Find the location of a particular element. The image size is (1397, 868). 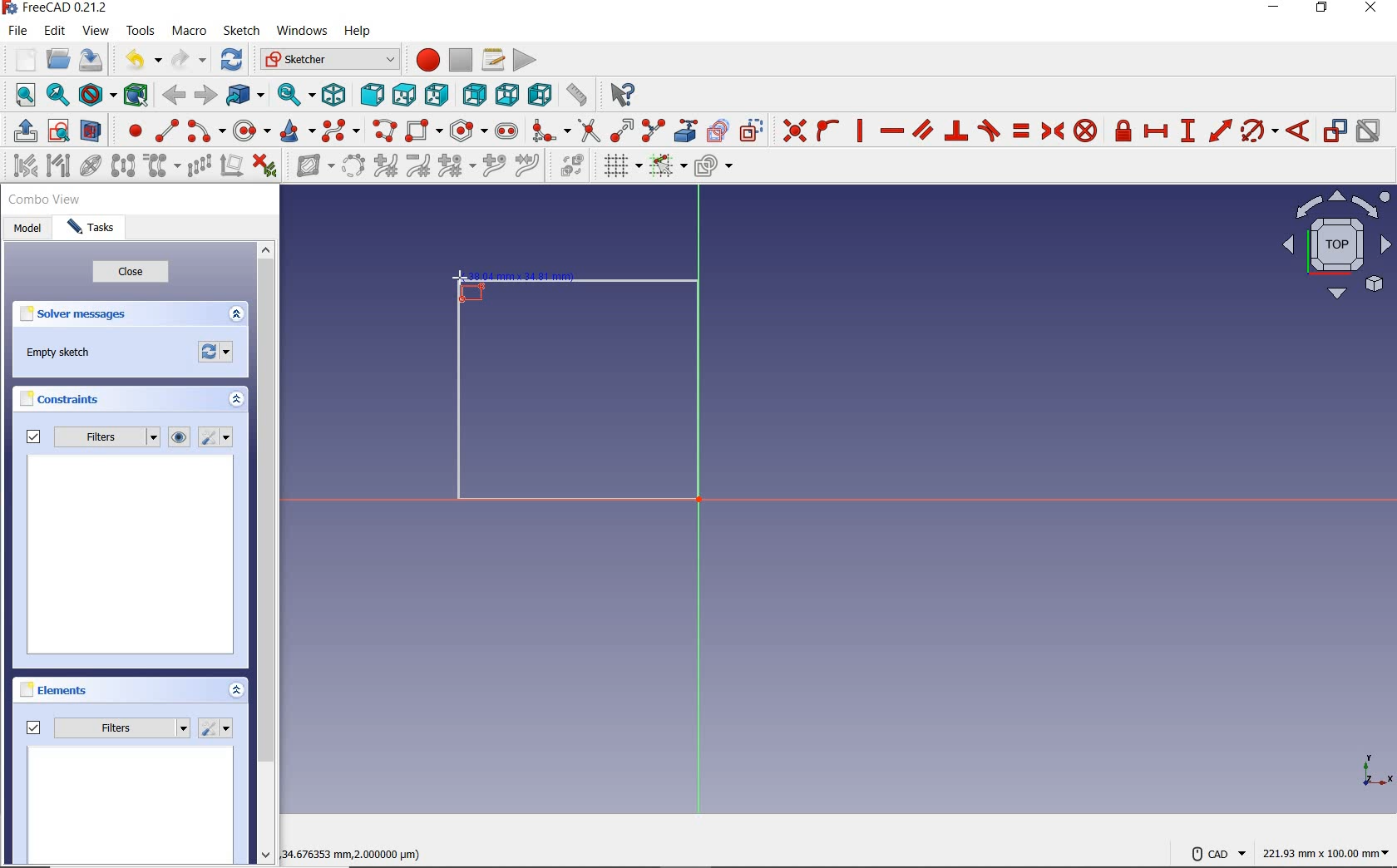

constrain perpendicular is located at coordinates (956, 131).